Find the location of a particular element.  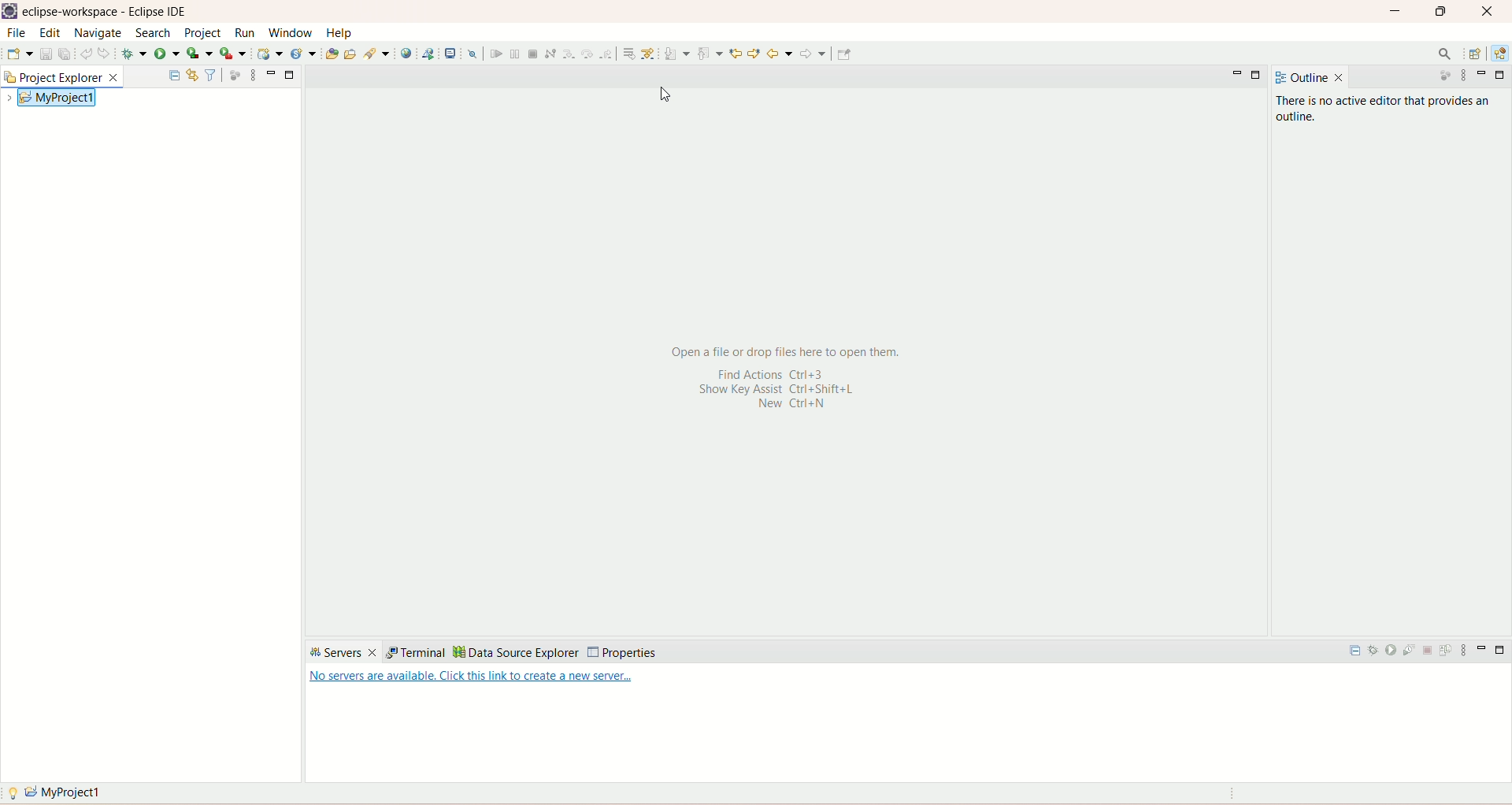

help is located at coordinates (338, 33).